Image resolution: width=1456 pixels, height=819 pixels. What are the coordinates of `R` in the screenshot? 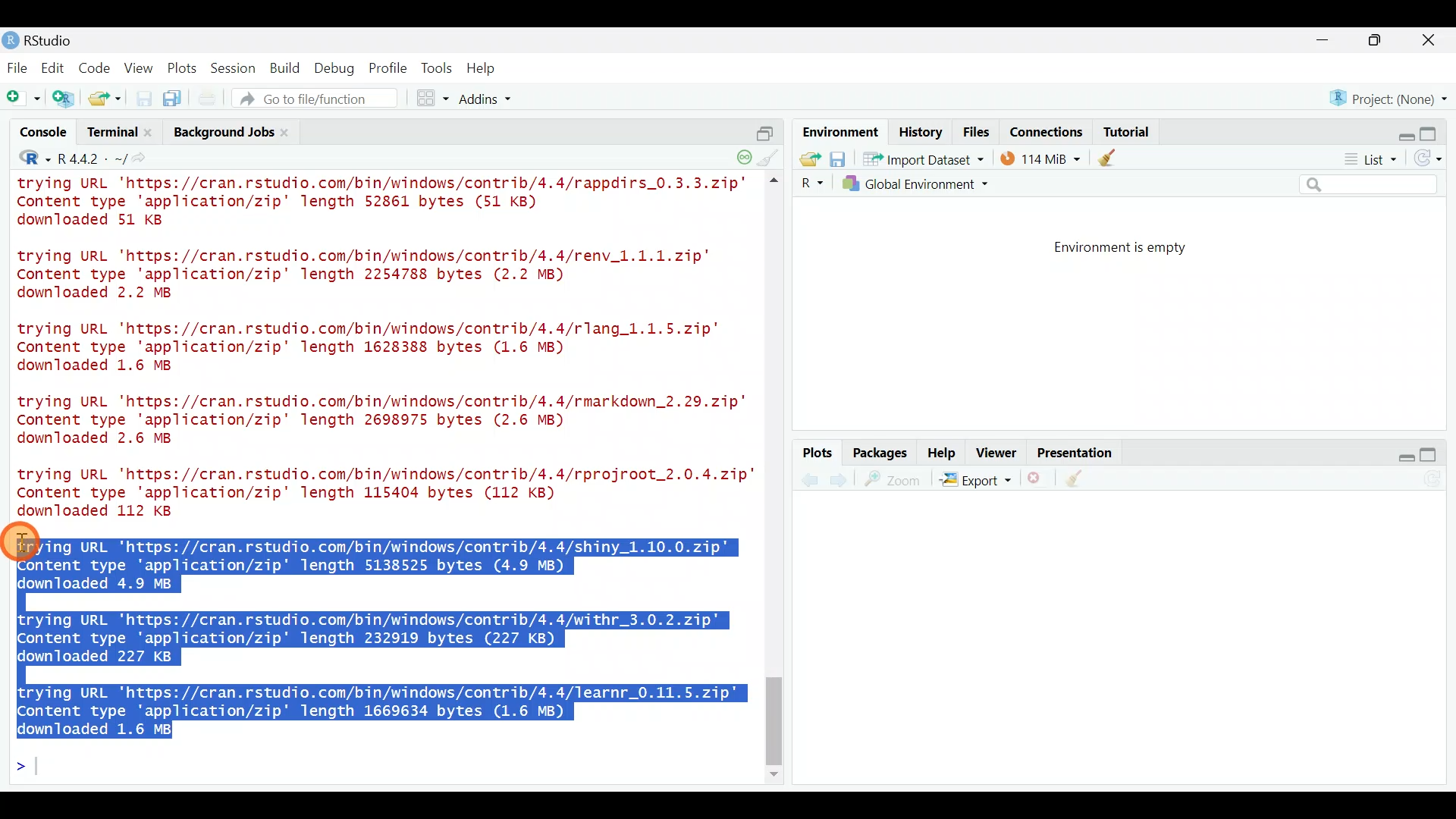 It's located at (24, 160).